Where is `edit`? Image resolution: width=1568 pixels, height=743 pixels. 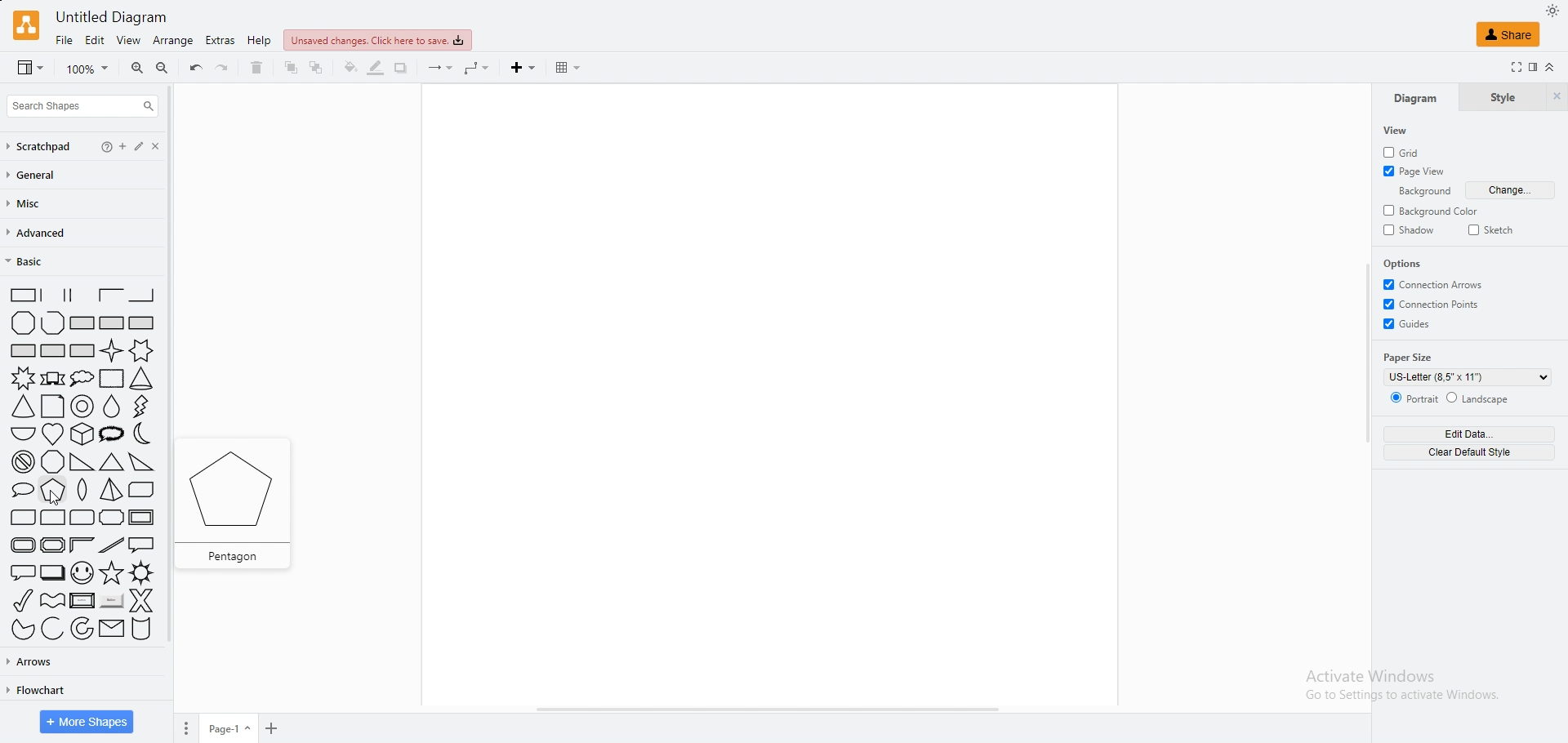 edit is located at coordinates (95, 41).